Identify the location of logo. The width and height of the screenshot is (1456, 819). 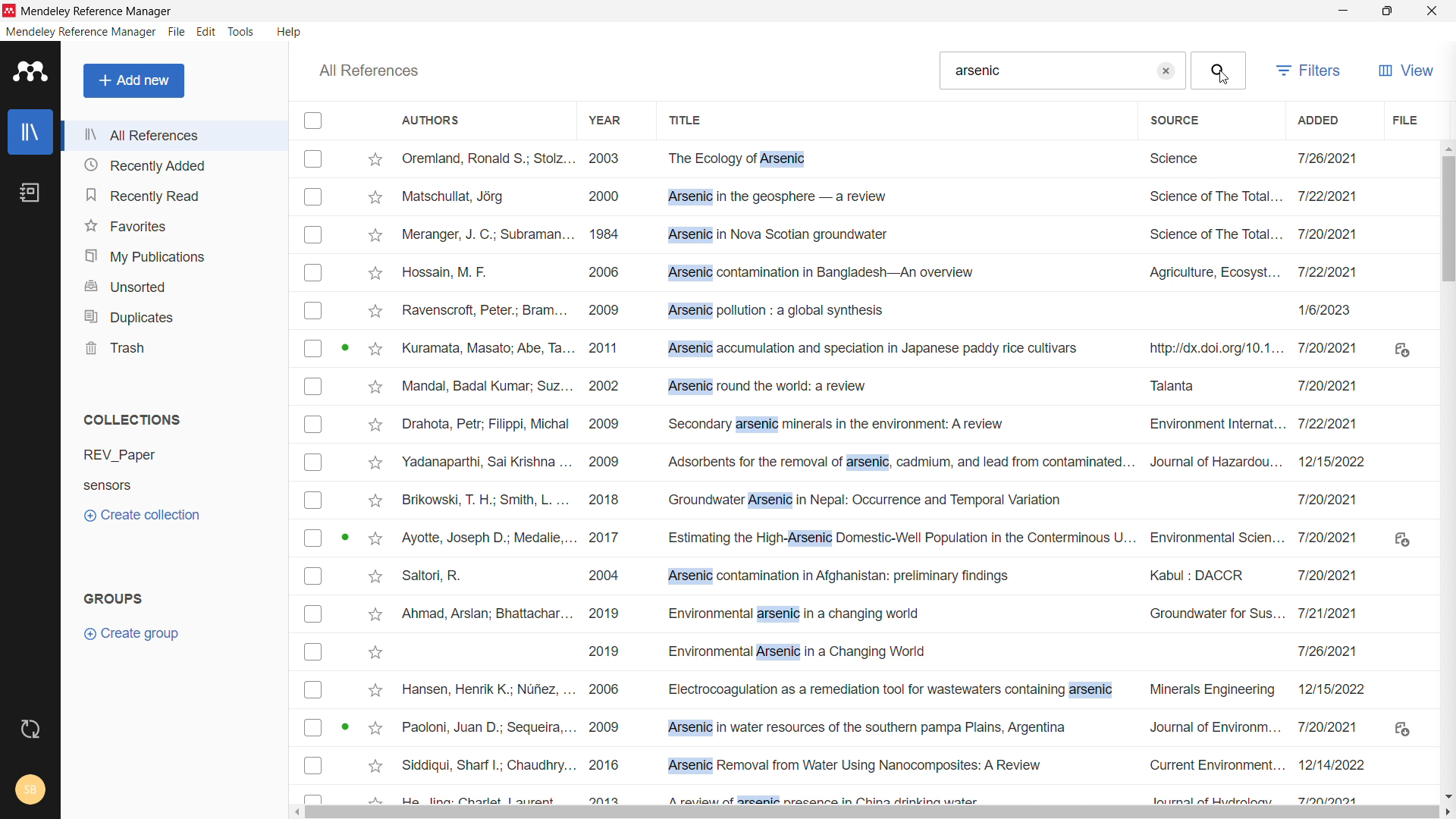
(31, 71).